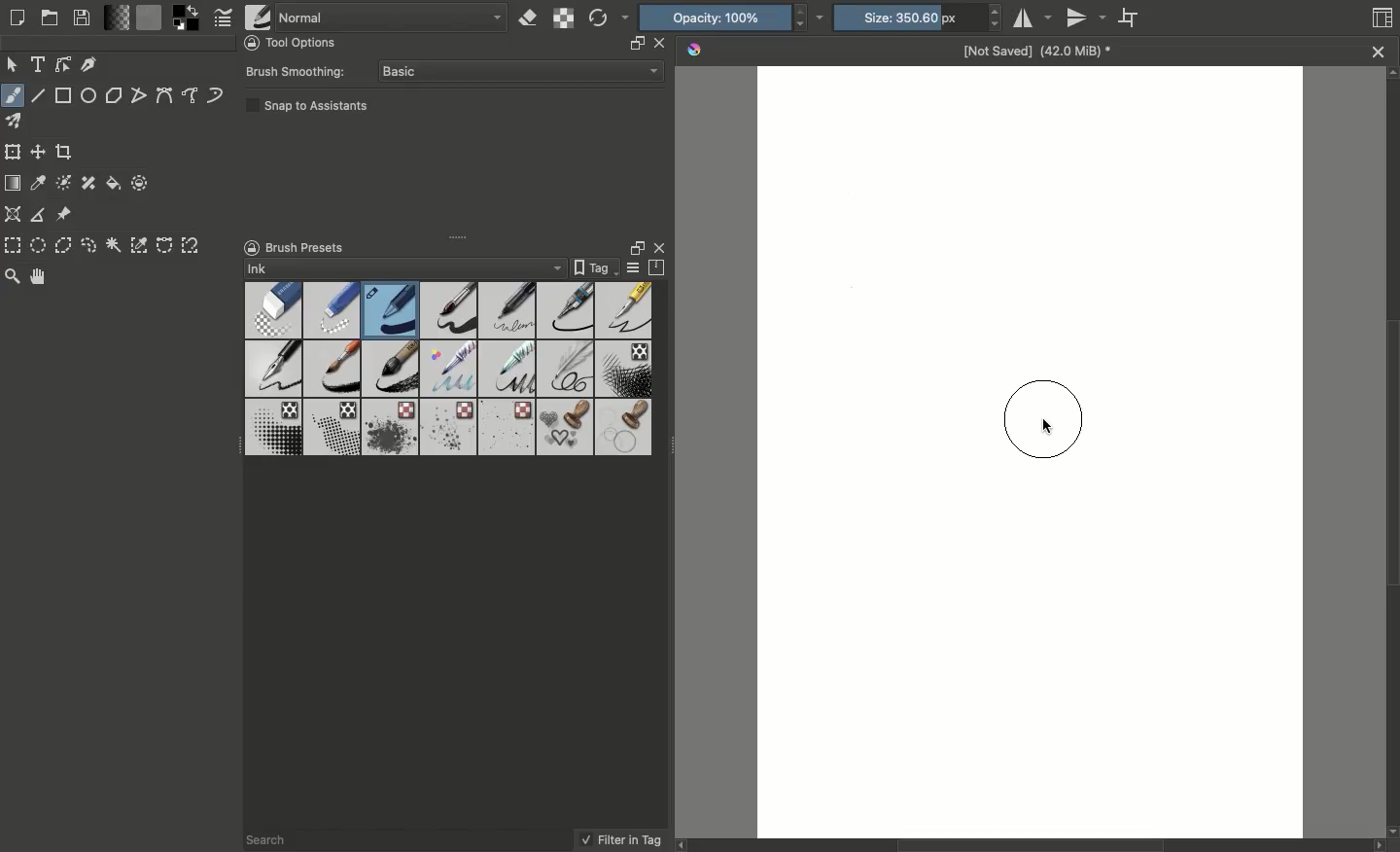 This screenshot has width=1400, height=852. I want to click on Magnetic curve selection tool, so click(192, 245).